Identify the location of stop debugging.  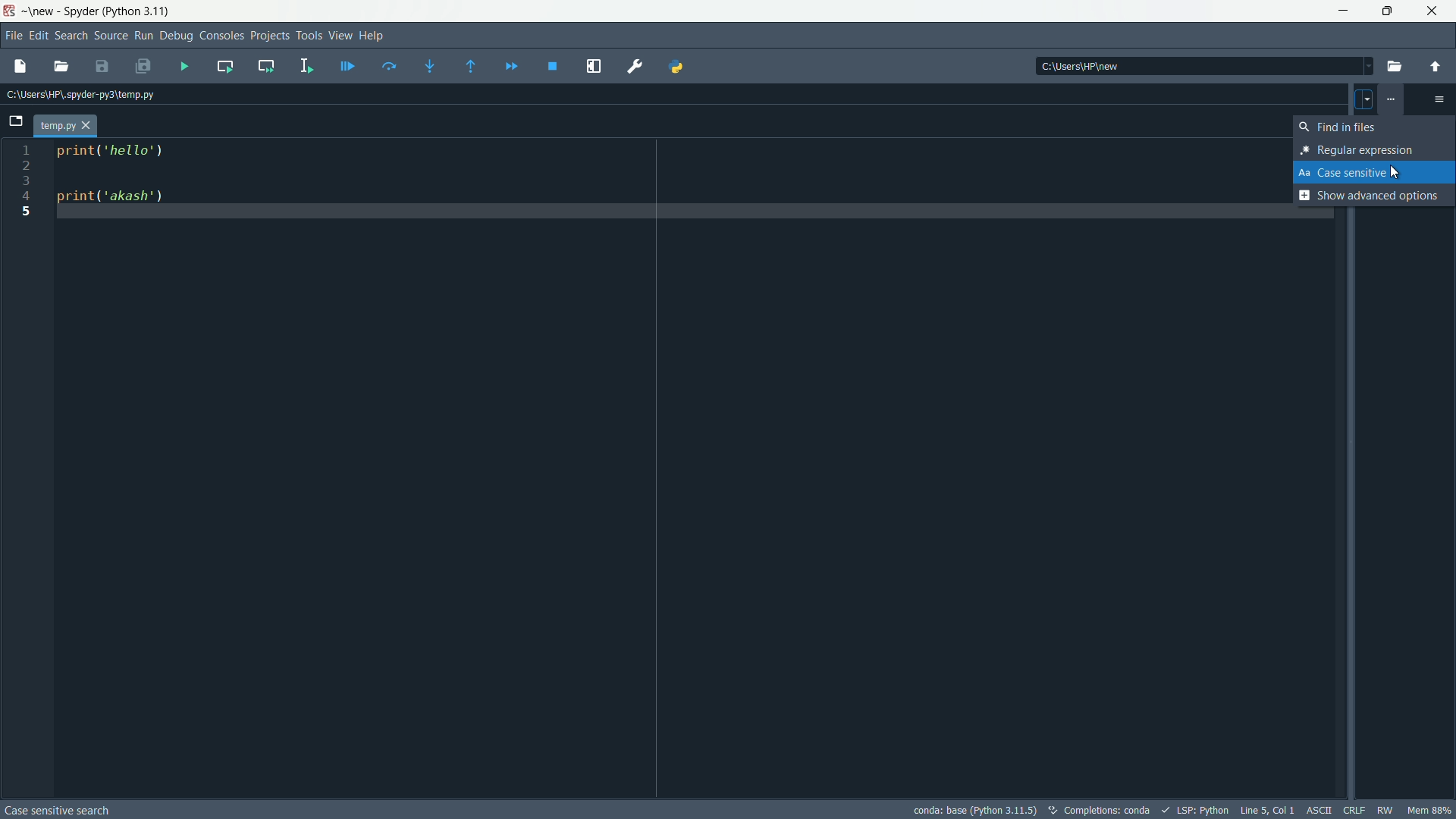
(552, 66).